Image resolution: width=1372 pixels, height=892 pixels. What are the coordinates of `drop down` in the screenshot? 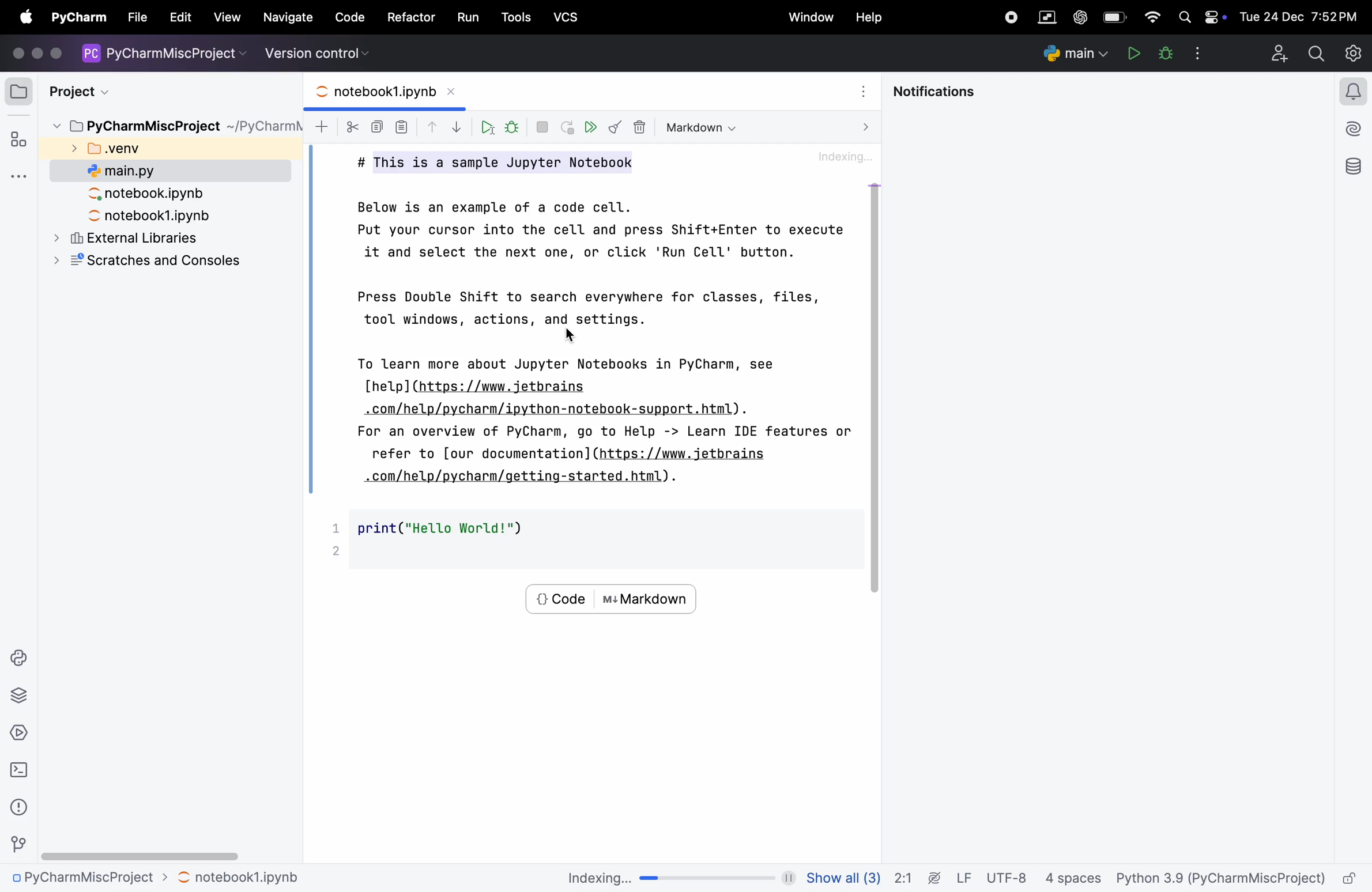 It's located at (455, 130).